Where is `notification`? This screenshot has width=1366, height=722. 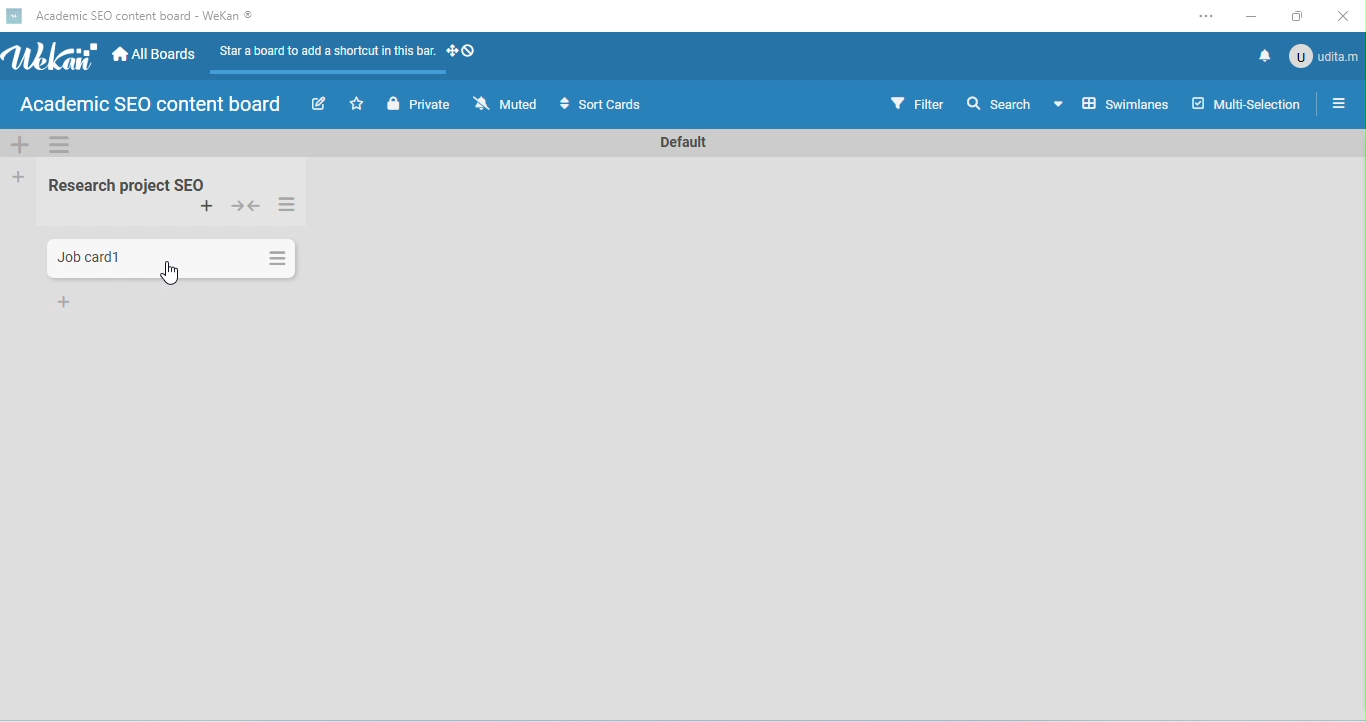
notification is located at coordinates (1261, 54).